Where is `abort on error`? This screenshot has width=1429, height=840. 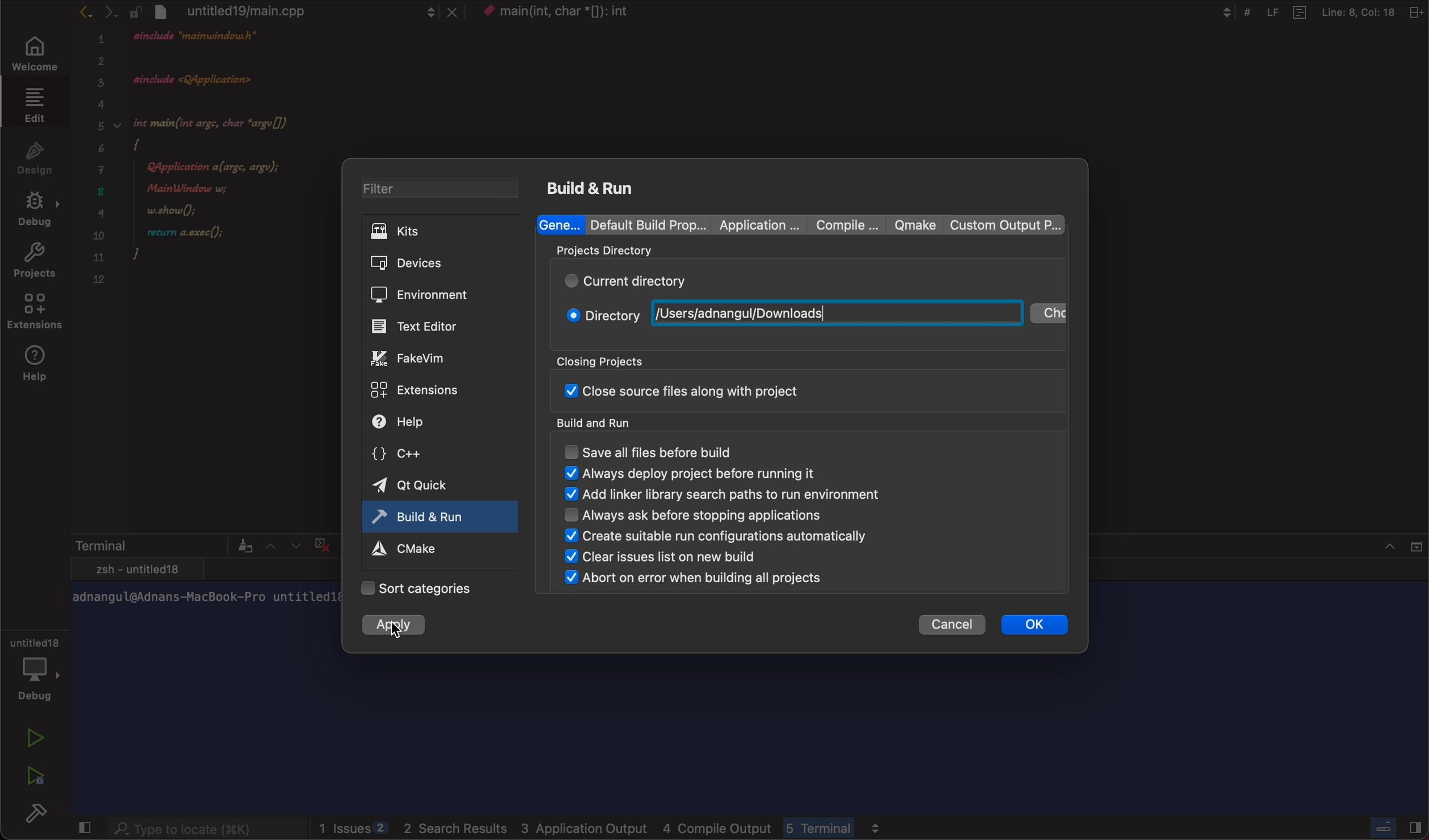 abort on error is located at coordinates (687, 579).